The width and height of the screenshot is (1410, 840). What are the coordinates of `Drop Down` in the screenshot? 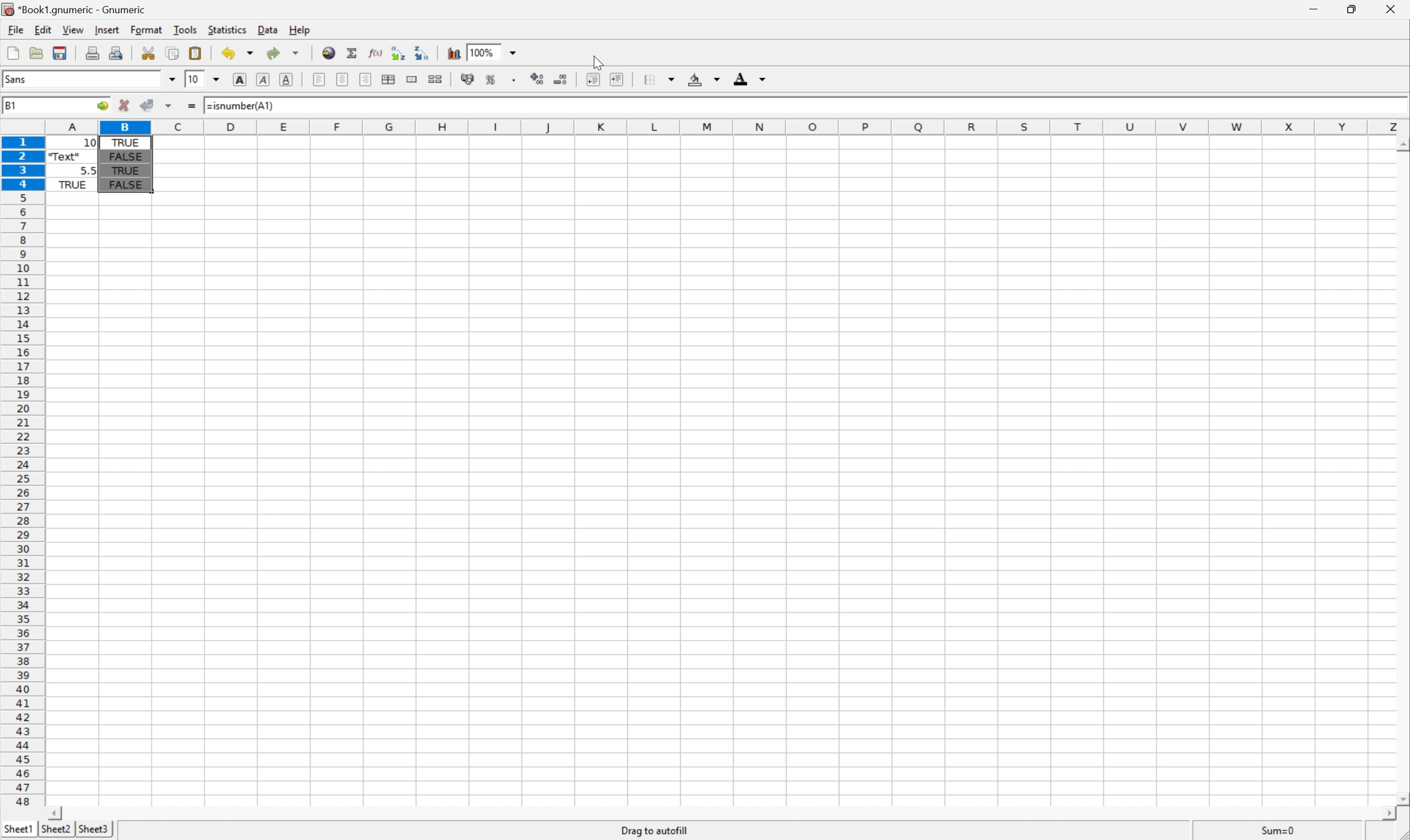 It's located at (512, 52).